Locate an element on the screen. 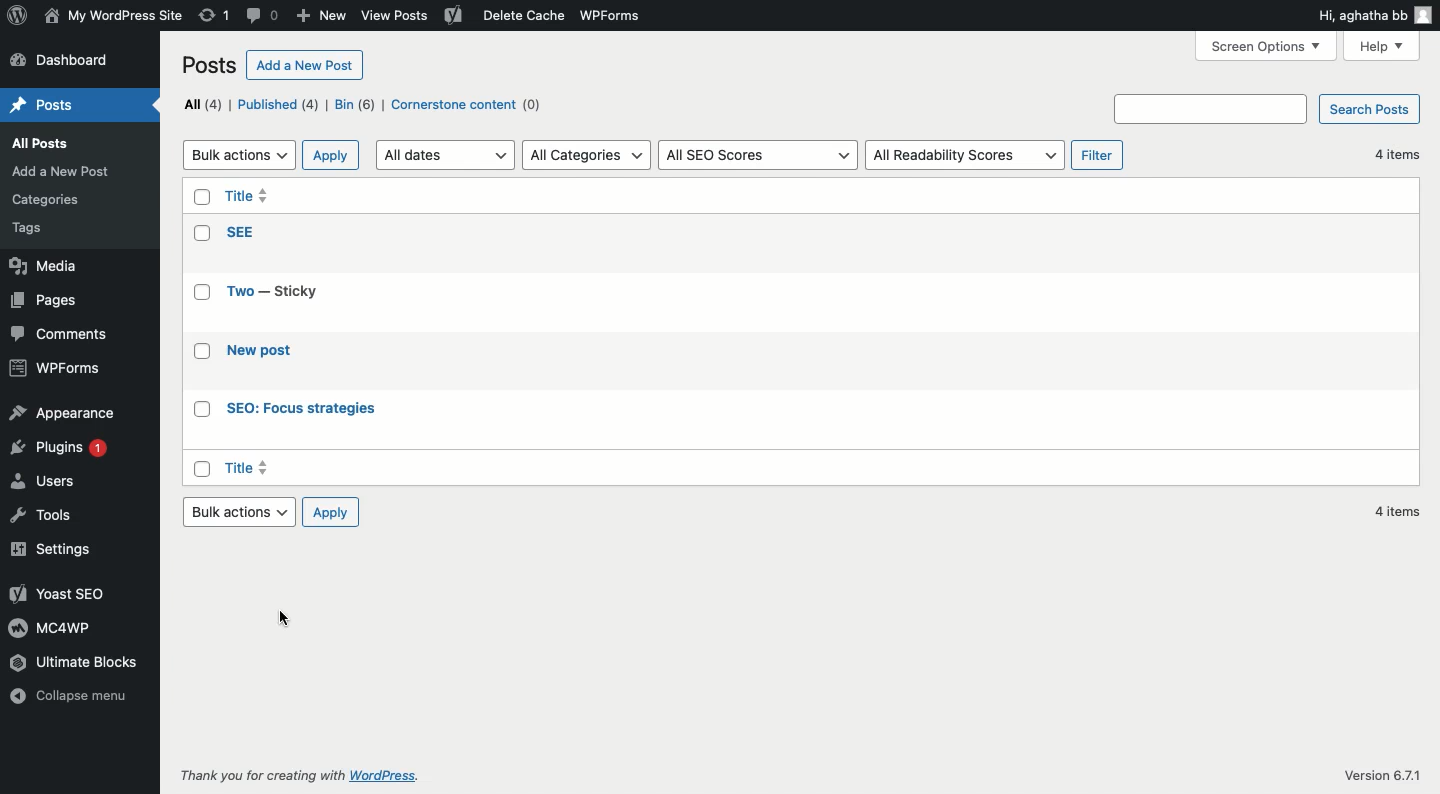 Image resolution: width=1440 pixels, height=794 pixels. 4items is located at coordinates (1400, 511).